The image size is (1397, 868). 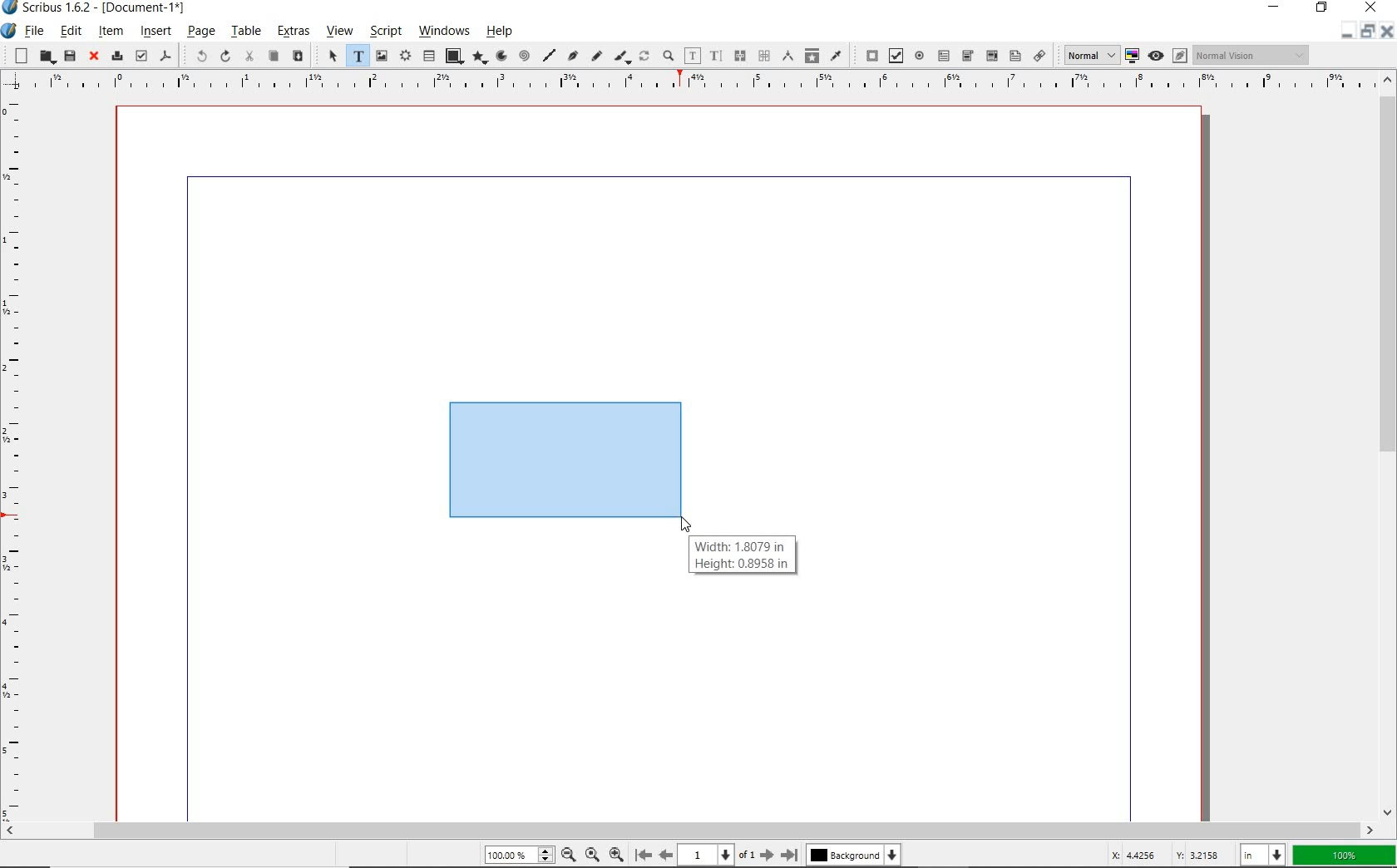 What do you see at coordinates (1346, 31) in the screenshot?
I see `Restore Down` at bounding box center [1346, 31].